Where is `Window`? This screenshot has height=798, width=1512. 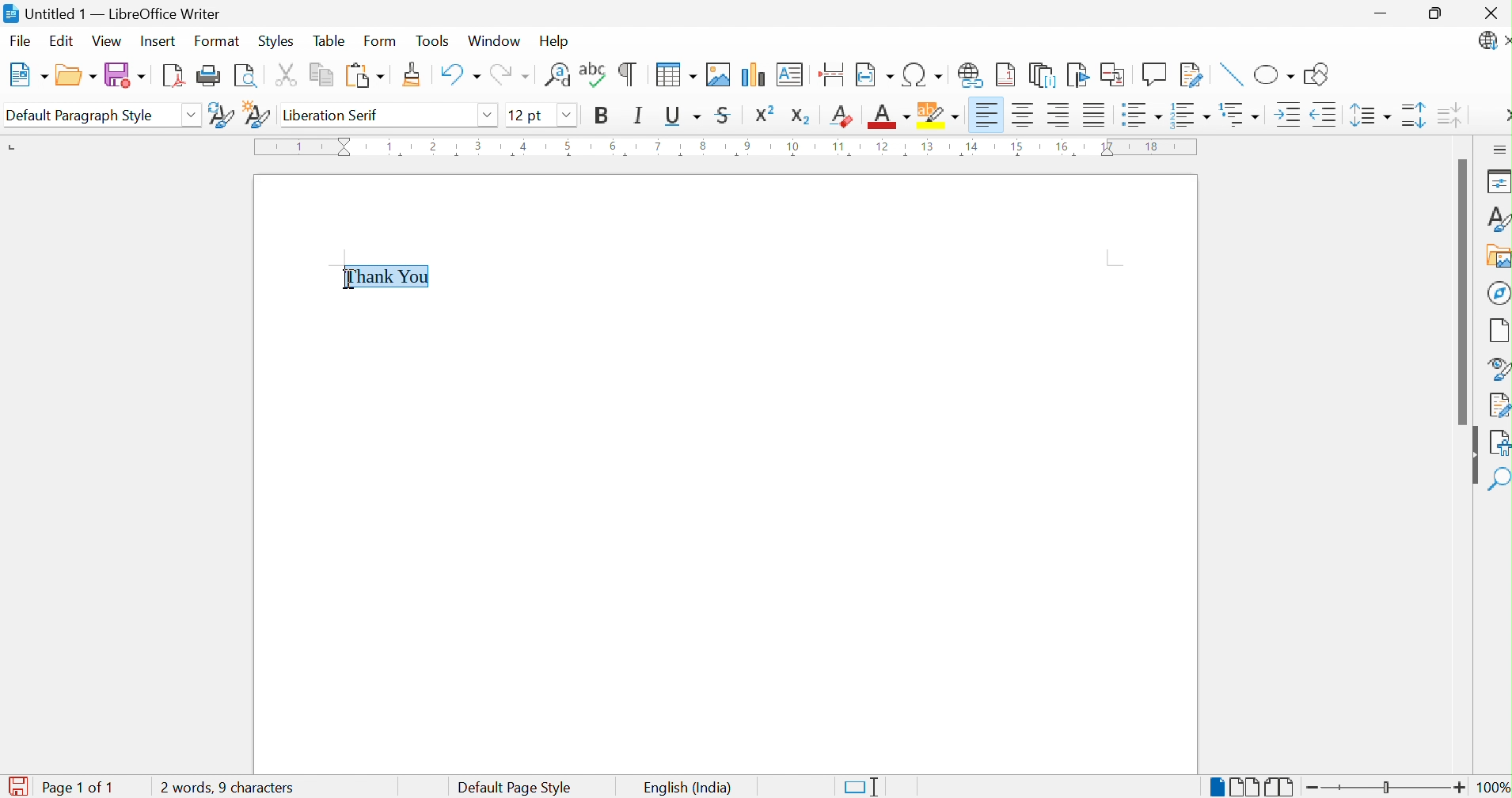 Window is located at coordinates (495, 41).